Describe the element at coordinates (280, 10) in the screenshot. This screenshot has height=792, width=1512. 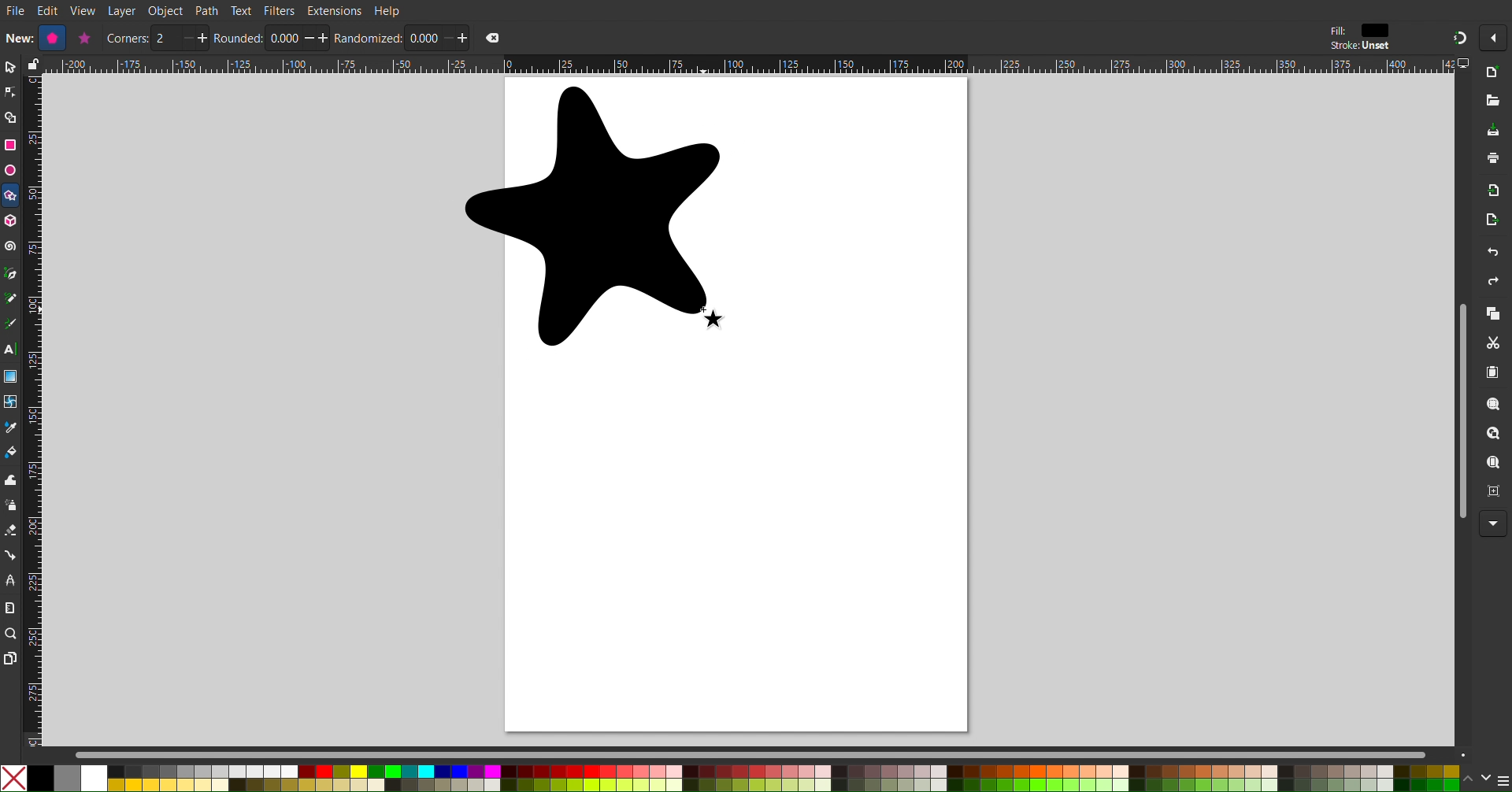
I see `Filters` at that location.